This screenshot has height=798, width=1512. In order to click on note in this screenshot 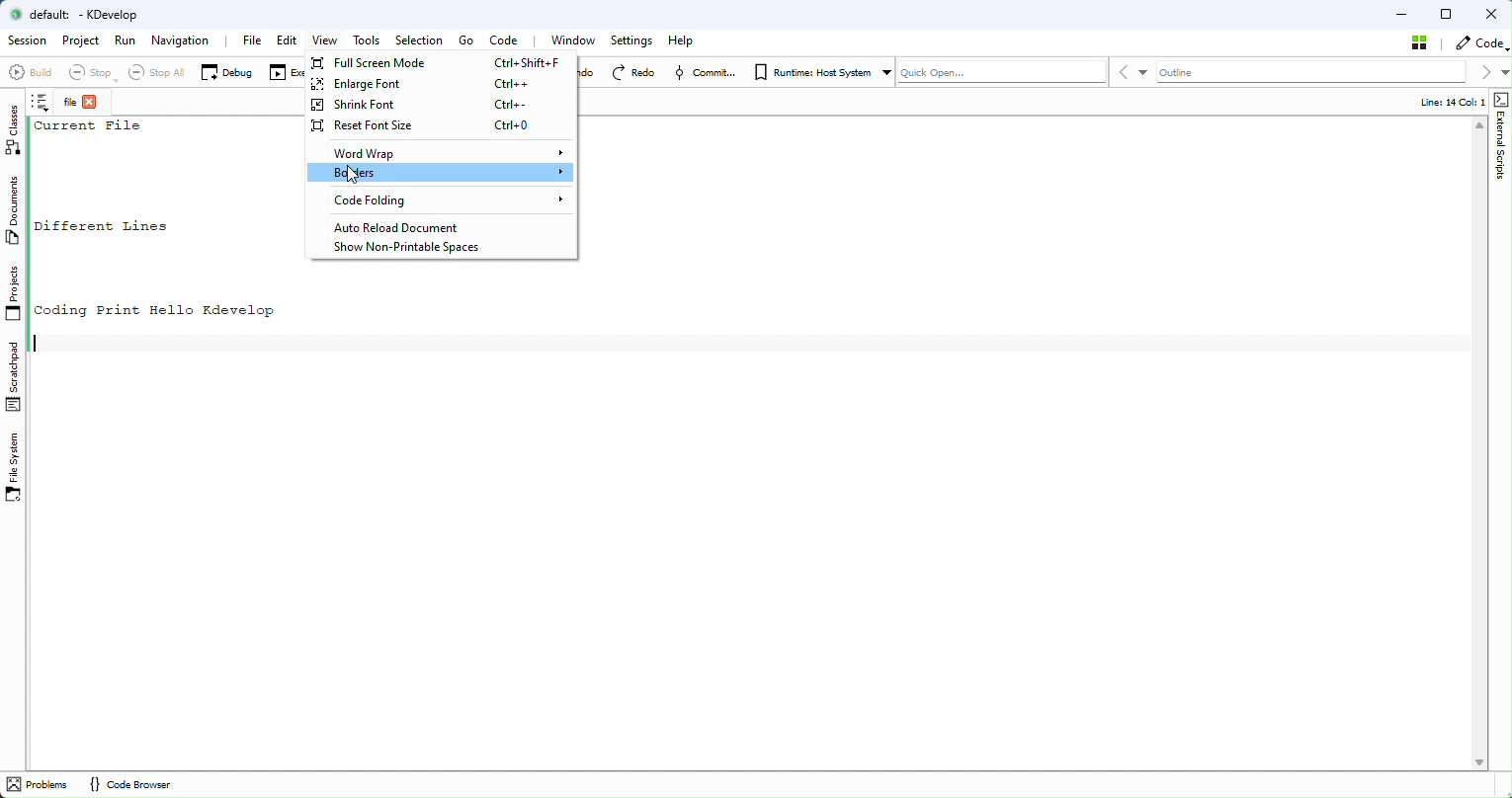, I will do `click(44, 105)`.